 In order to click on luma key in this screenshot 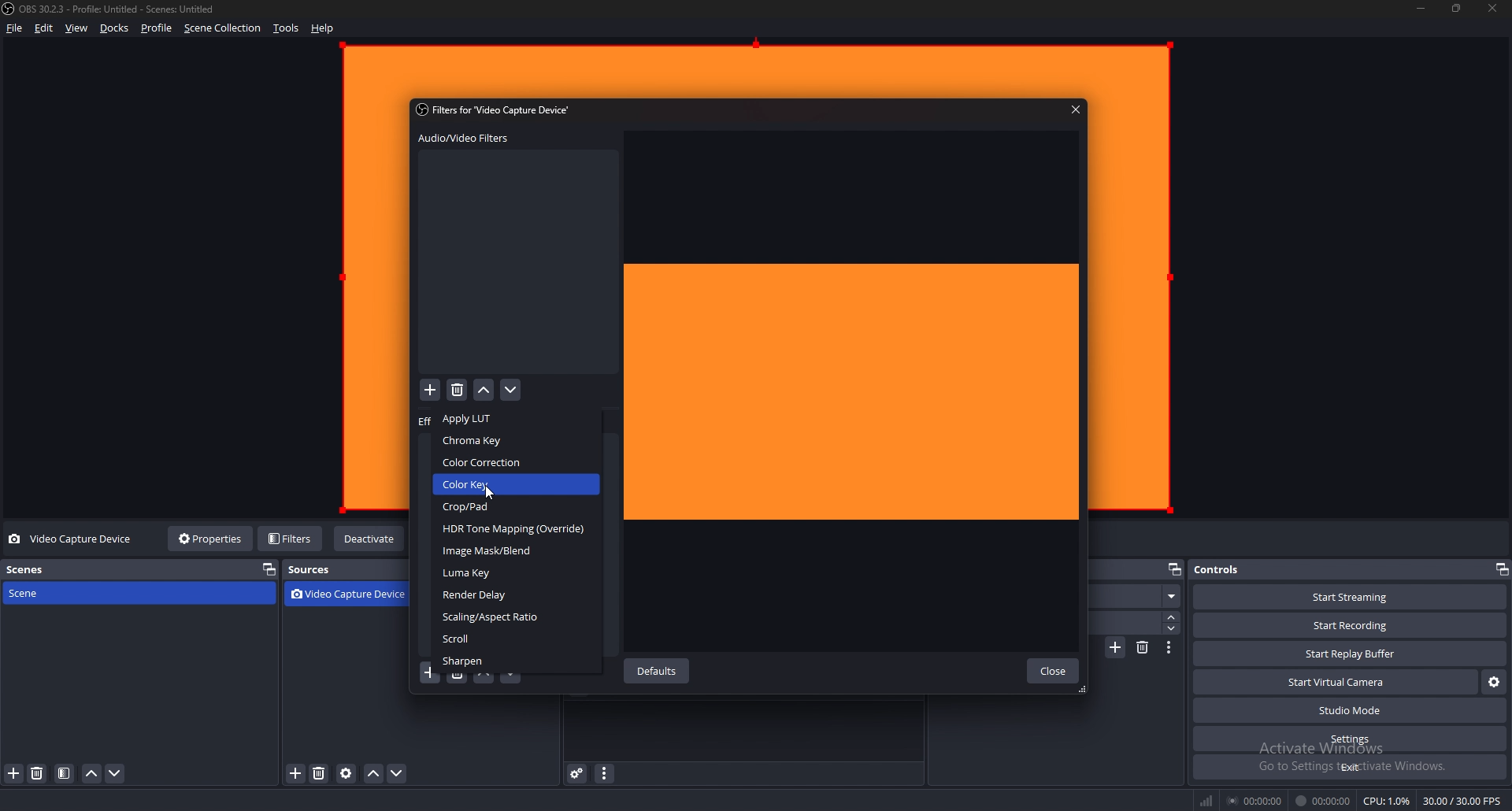, I will do `click(519, 572)`.